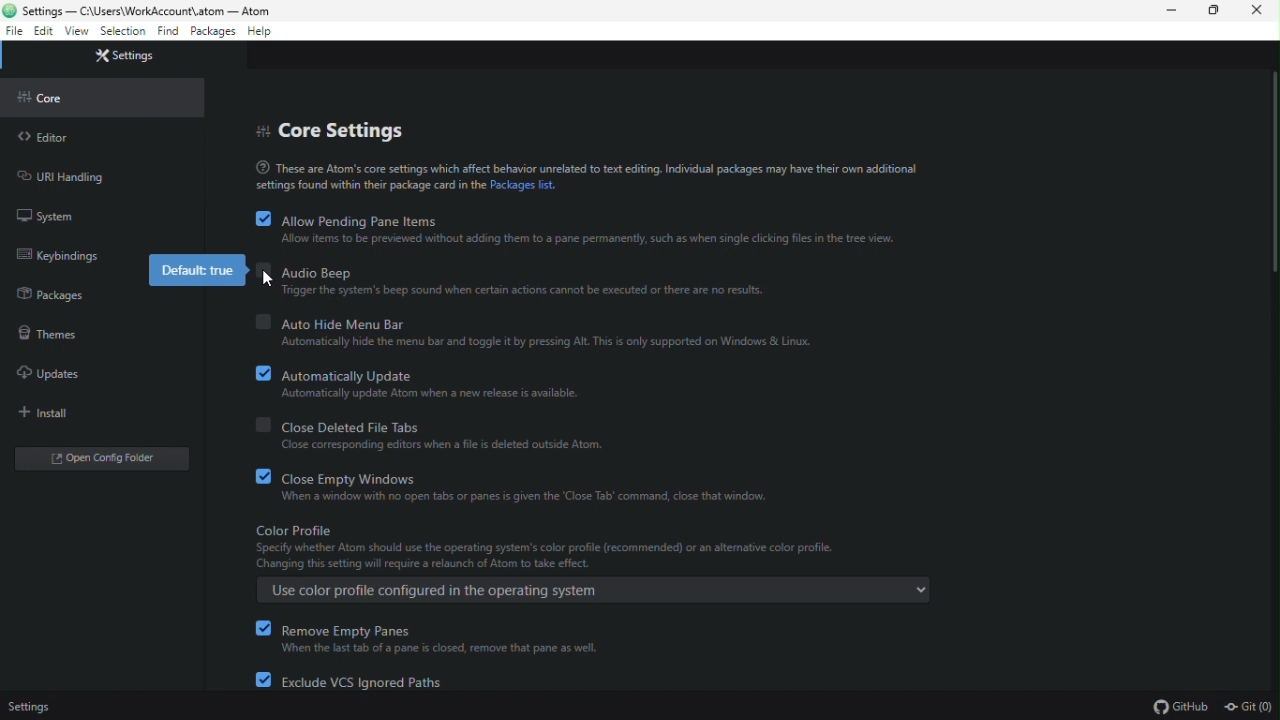 The width and height of the screenshot is (1280, 720). I want to click on editor, so click(45, 136).